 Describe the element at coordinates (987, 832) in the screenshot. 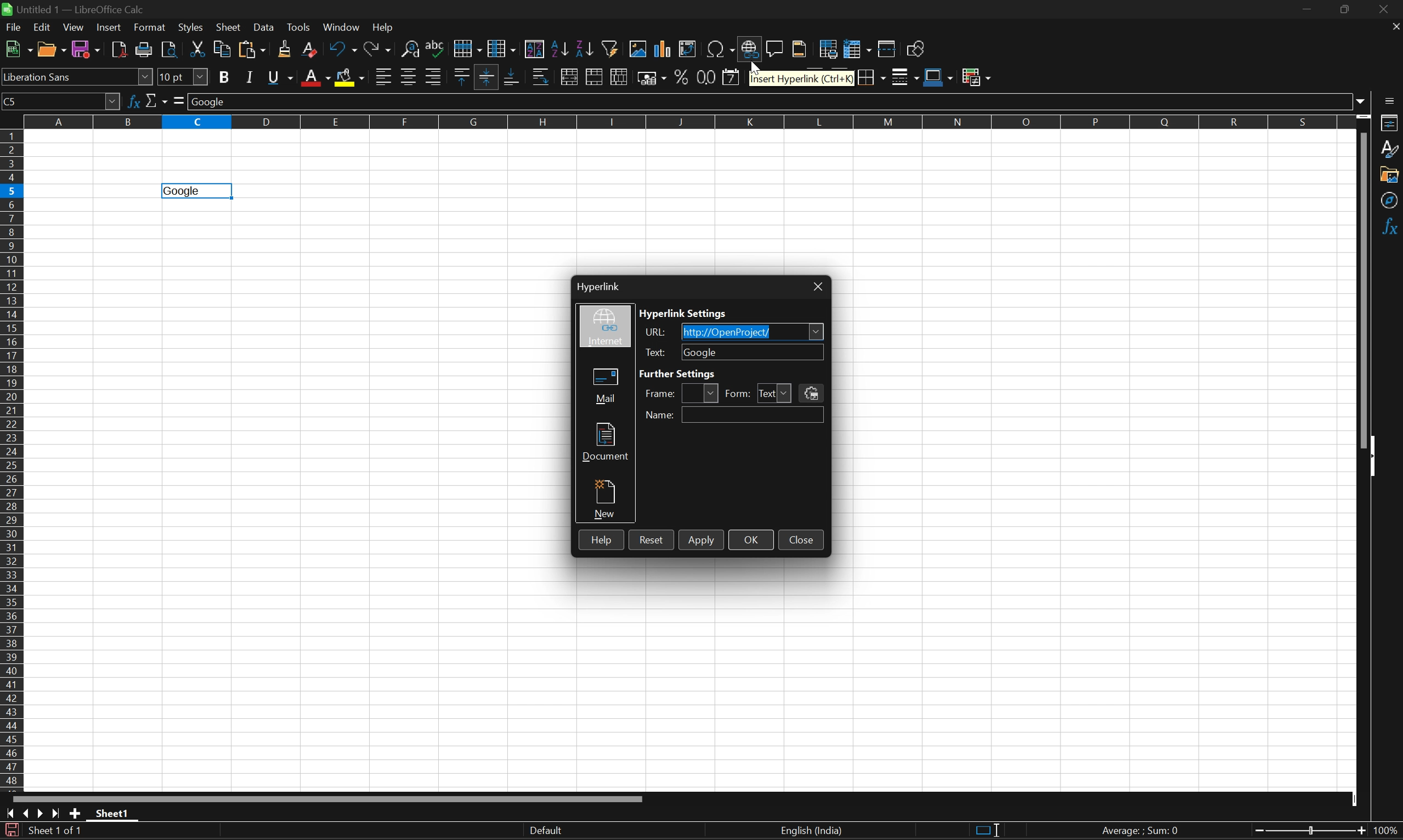

I see `Standard selection. Click to change selection mode.` at that location.